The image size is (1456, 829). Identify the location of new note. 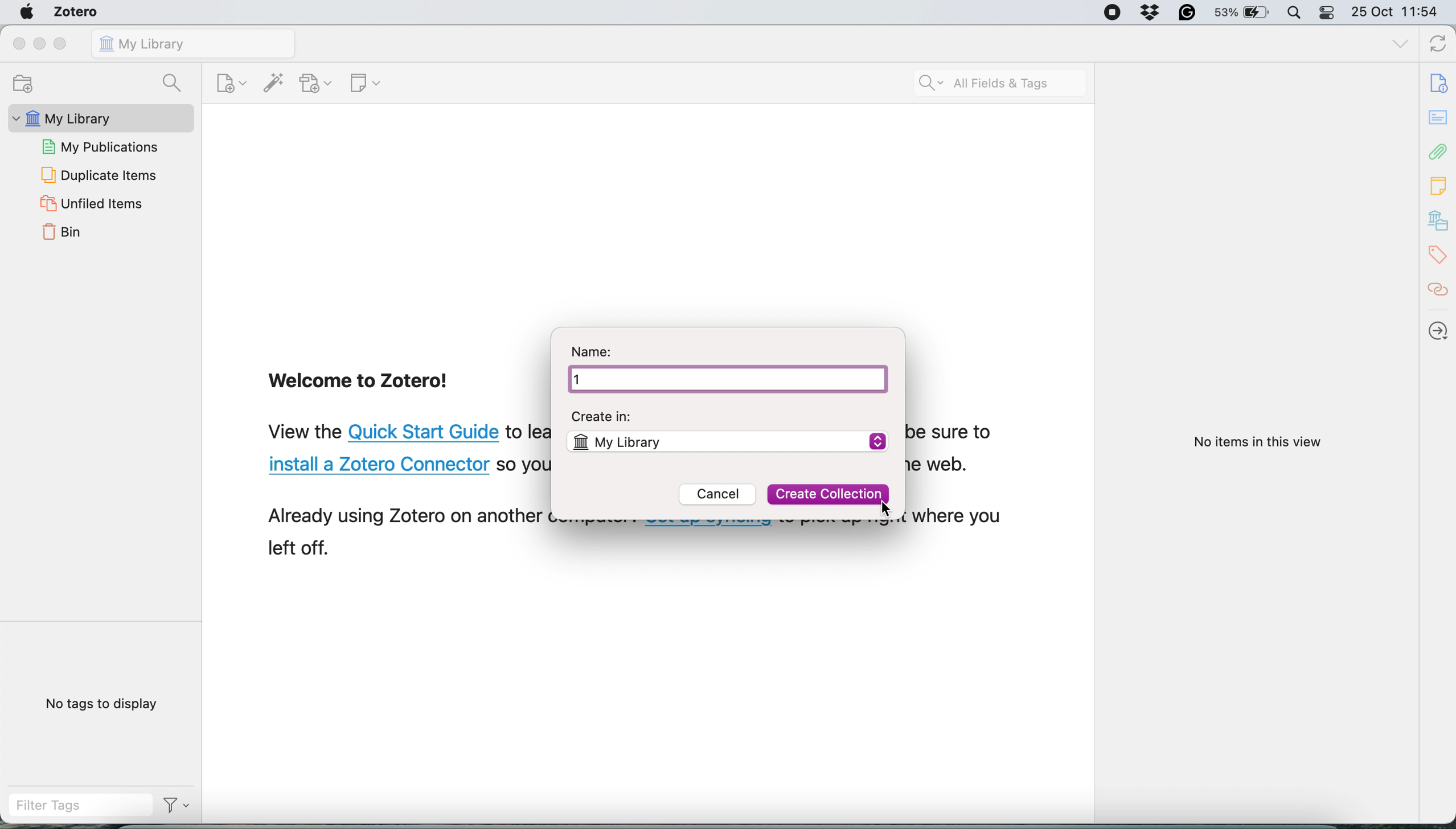
(364, 84).